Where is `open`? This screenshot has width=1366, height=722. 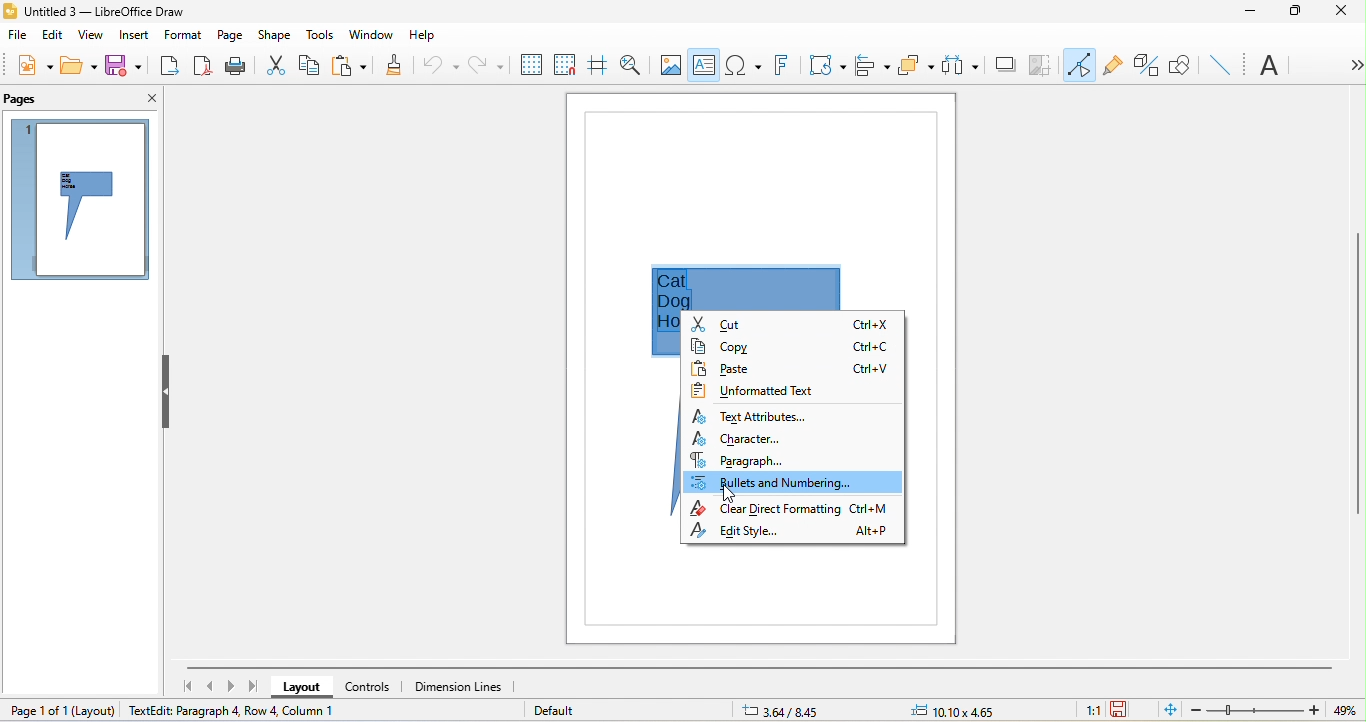
open is located at coordinates (80, 65).